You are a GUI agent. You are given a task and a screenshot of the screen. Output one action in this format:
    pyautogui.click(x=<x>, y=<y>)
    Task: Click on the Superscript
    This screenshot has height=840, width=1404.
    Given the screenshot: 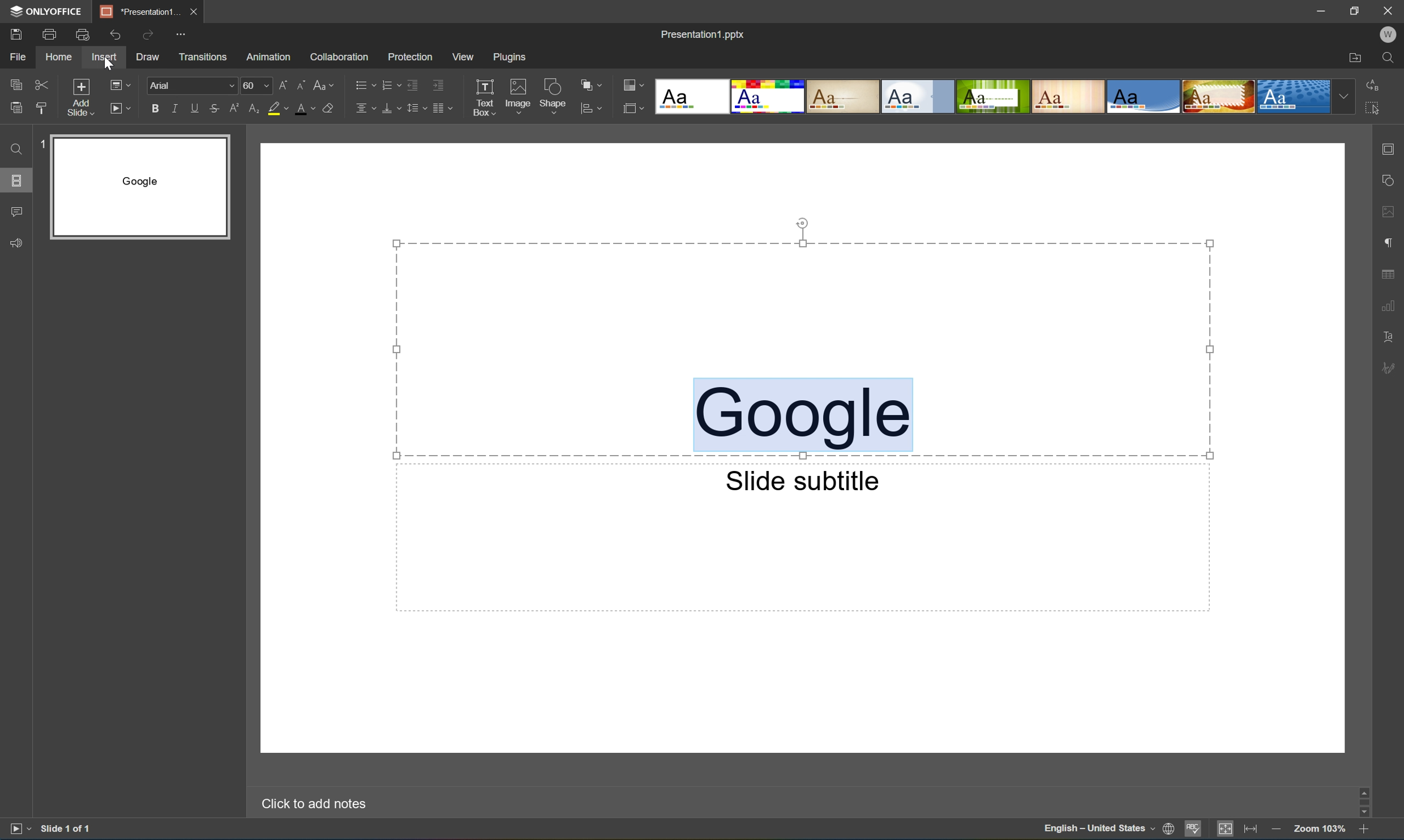 What is the action you would take?
    pyautogui.click(x=233, y=110)
    